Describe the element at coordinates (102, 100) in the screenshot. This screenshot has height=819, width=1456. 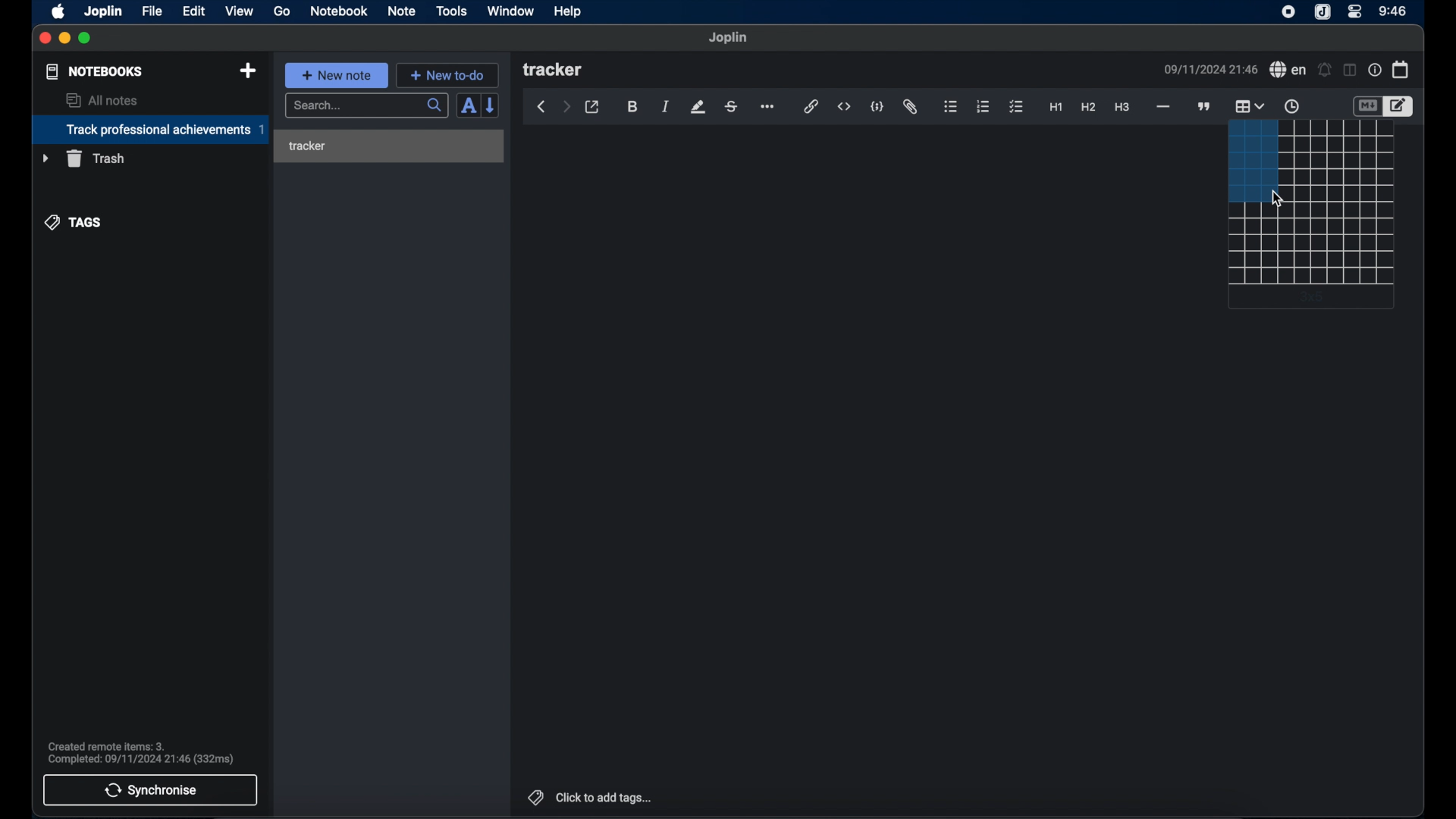
I see `all  notes` at that location.